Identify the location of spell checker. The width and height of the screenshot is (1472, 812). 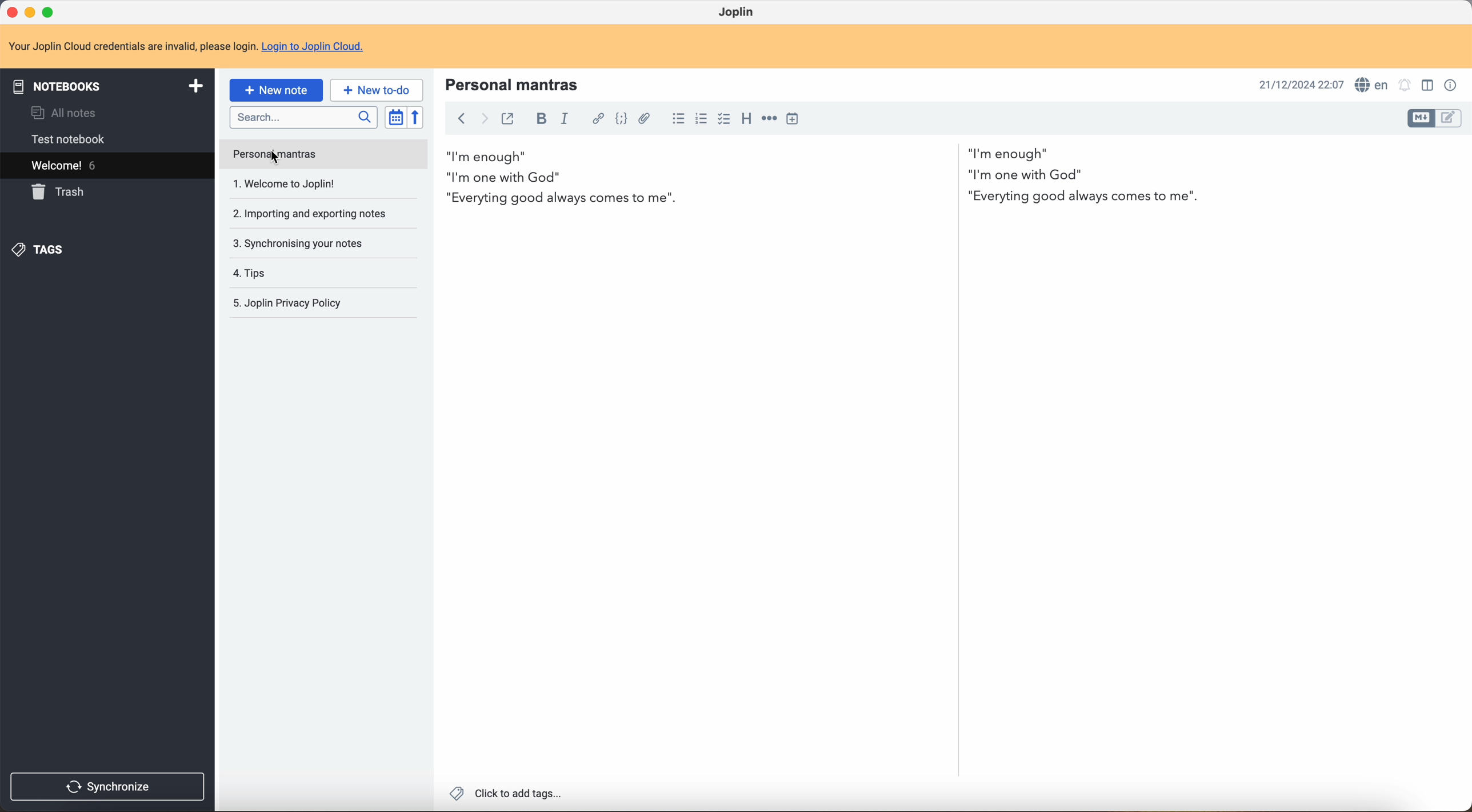
(1373, 83).